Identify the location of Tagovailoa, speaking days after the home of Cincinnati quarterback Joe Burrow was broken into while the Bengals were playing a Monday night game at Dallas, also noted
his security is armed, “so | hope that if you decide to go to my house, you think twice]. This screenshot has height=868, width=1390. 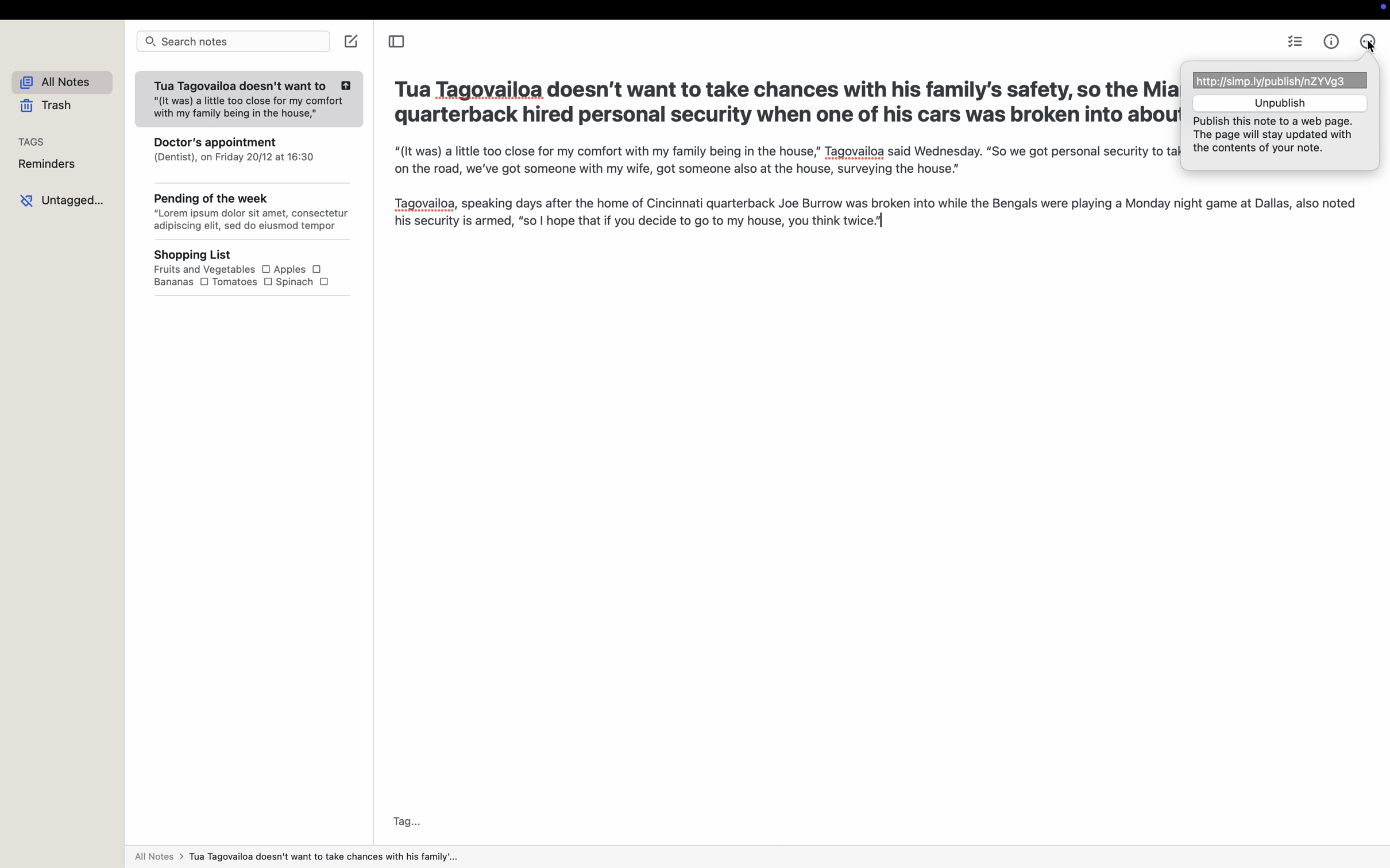
(874, 214).